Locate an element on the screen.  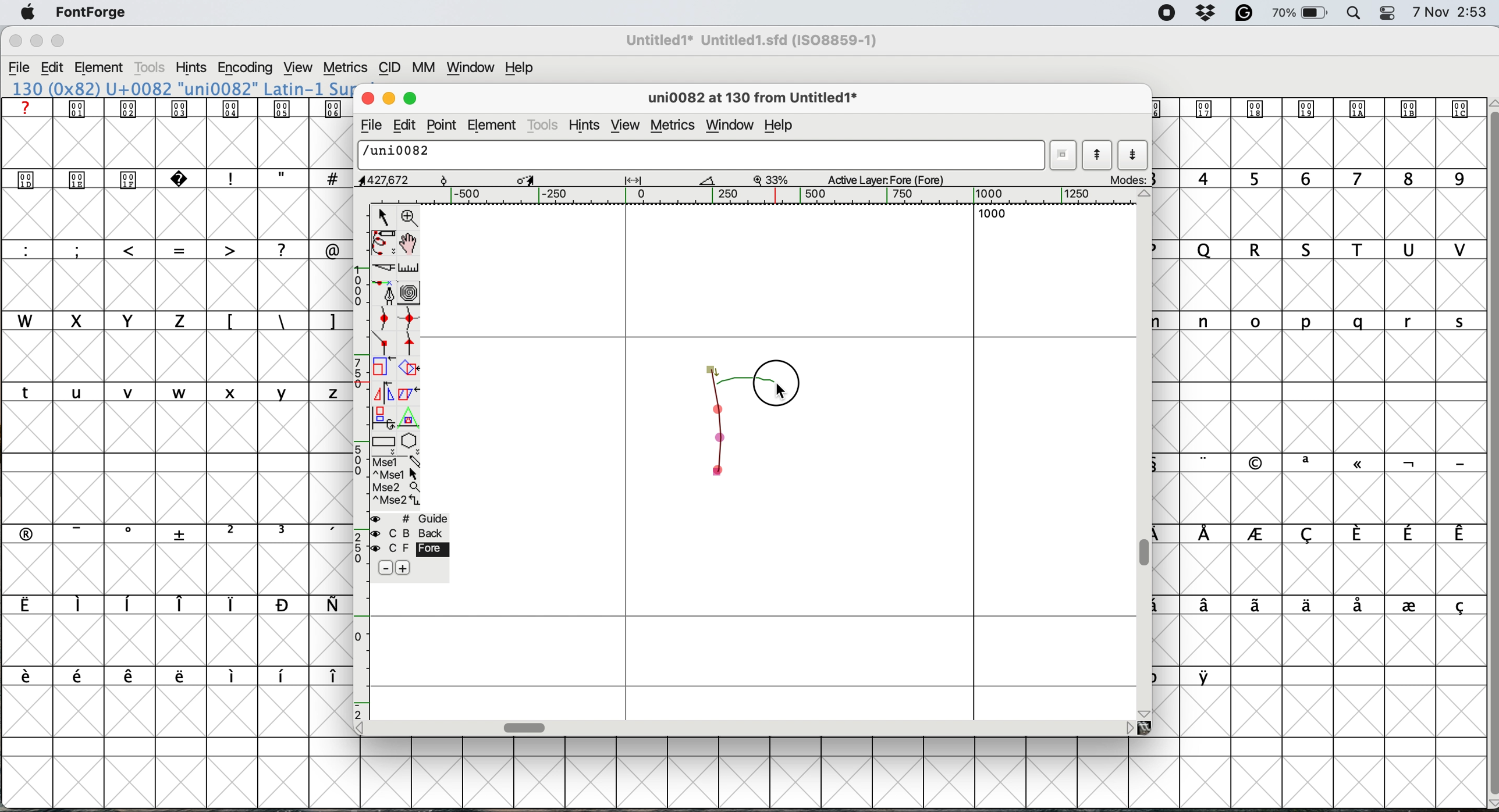
minimise is located at coordinates (33, 43).